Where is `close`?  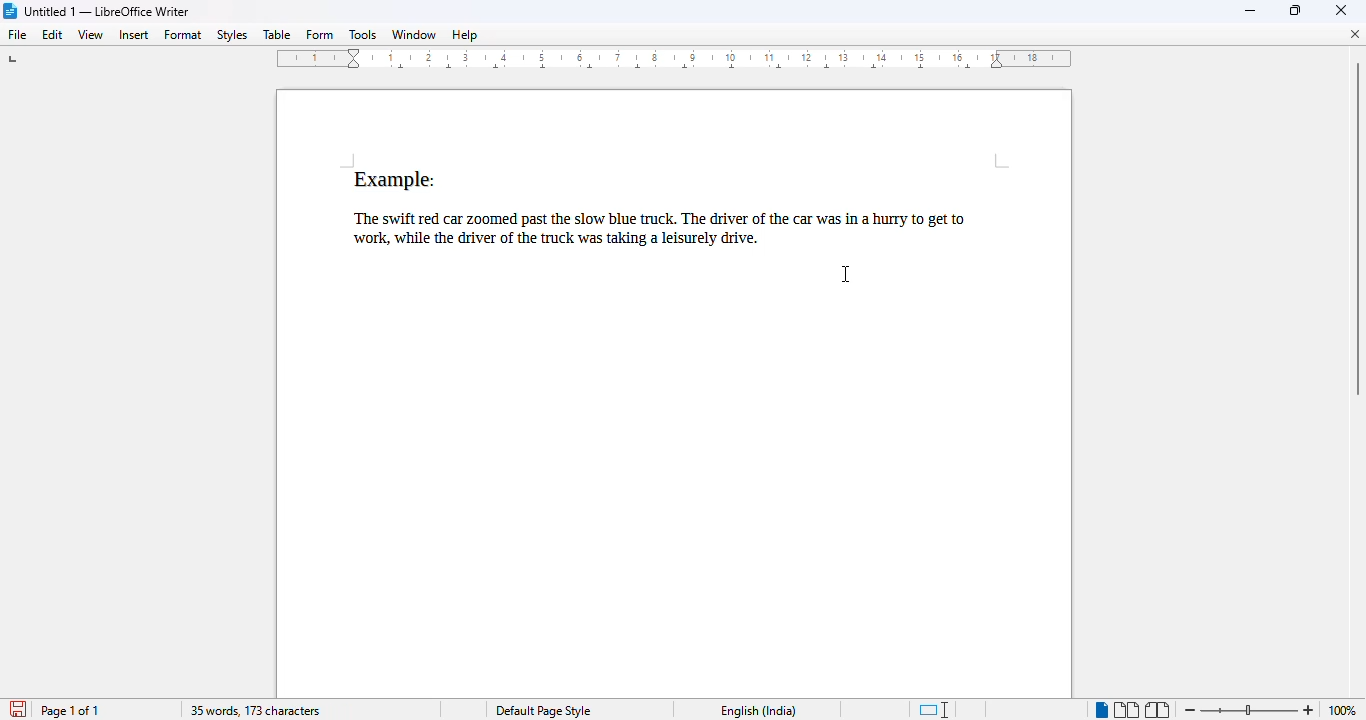
close is located at coordinates (1340, 11).